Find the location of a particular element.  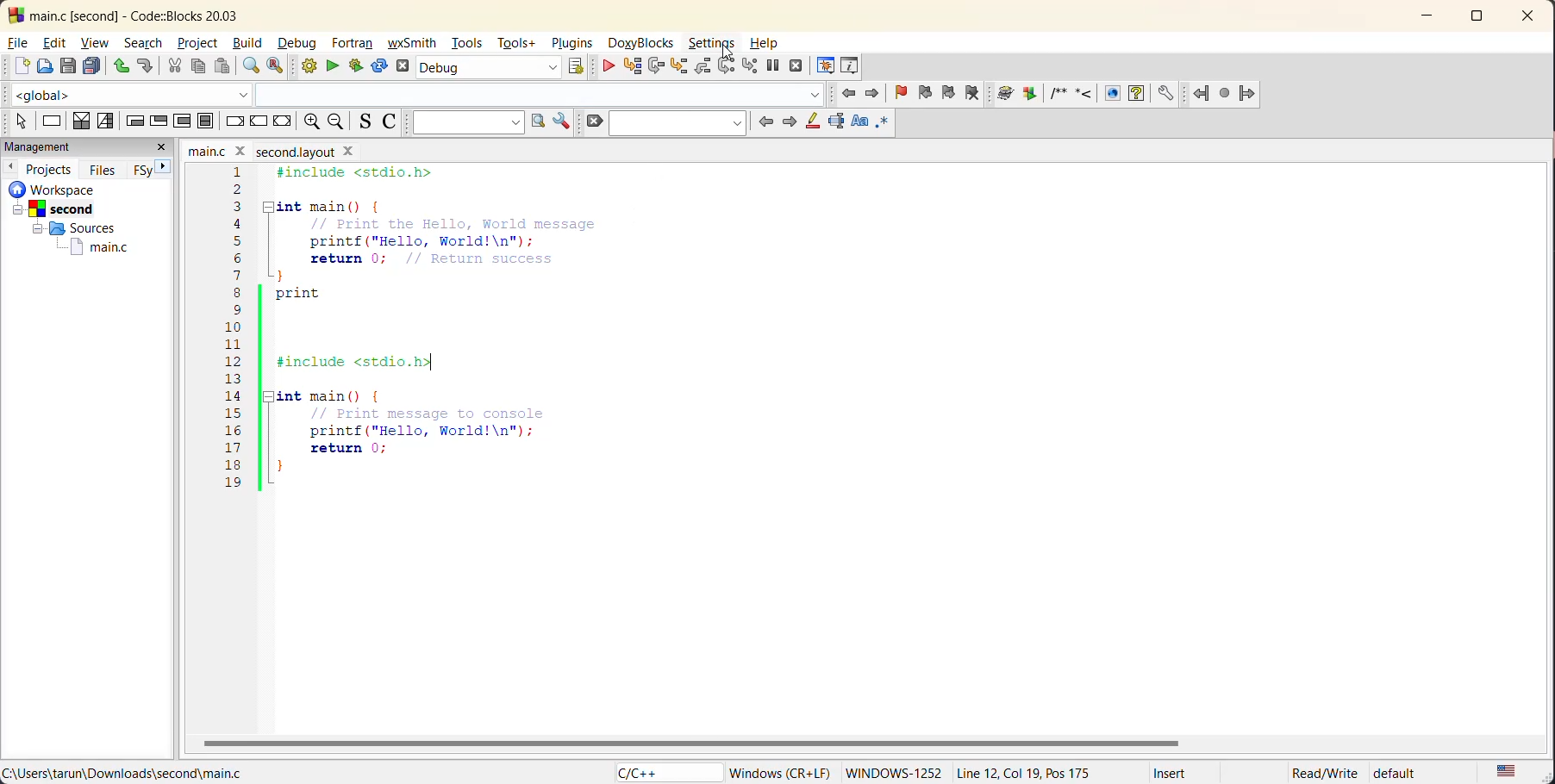

horizontal scroll bar is located at coordinates (690, 742).